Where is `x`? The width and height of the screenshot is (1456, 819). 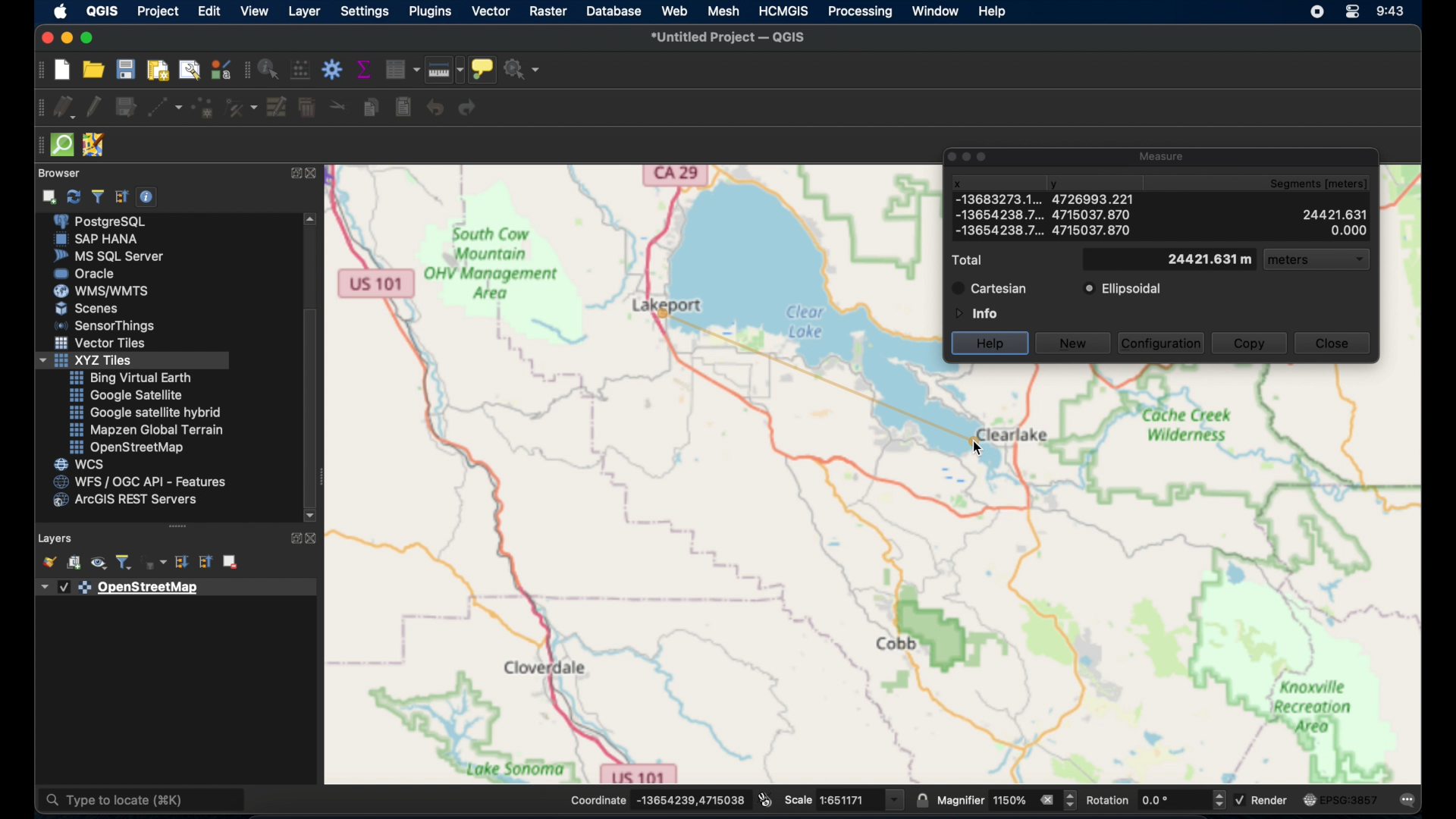
x is located at coordinates (957, 182).